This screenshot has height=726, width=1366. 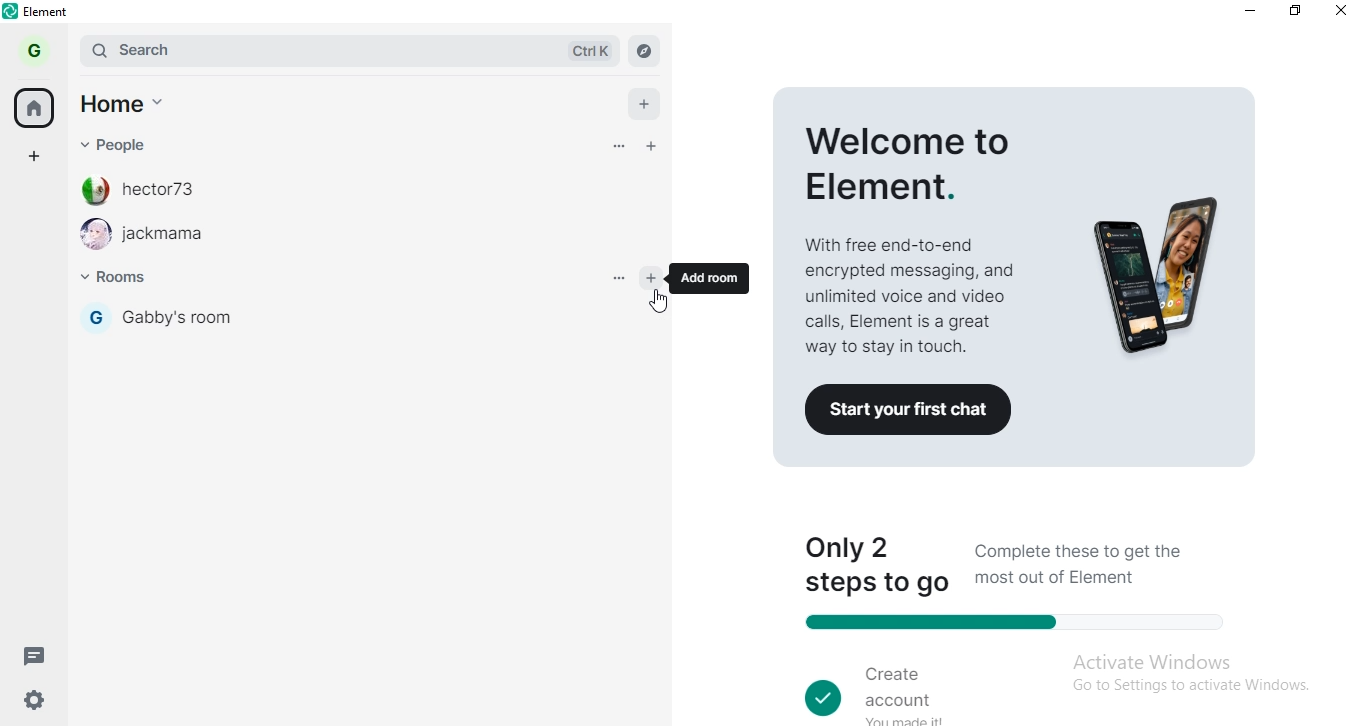 What do you see at coordinates (641, 100) in the screenshot?
I see `add` at bounding box center [641, 100].